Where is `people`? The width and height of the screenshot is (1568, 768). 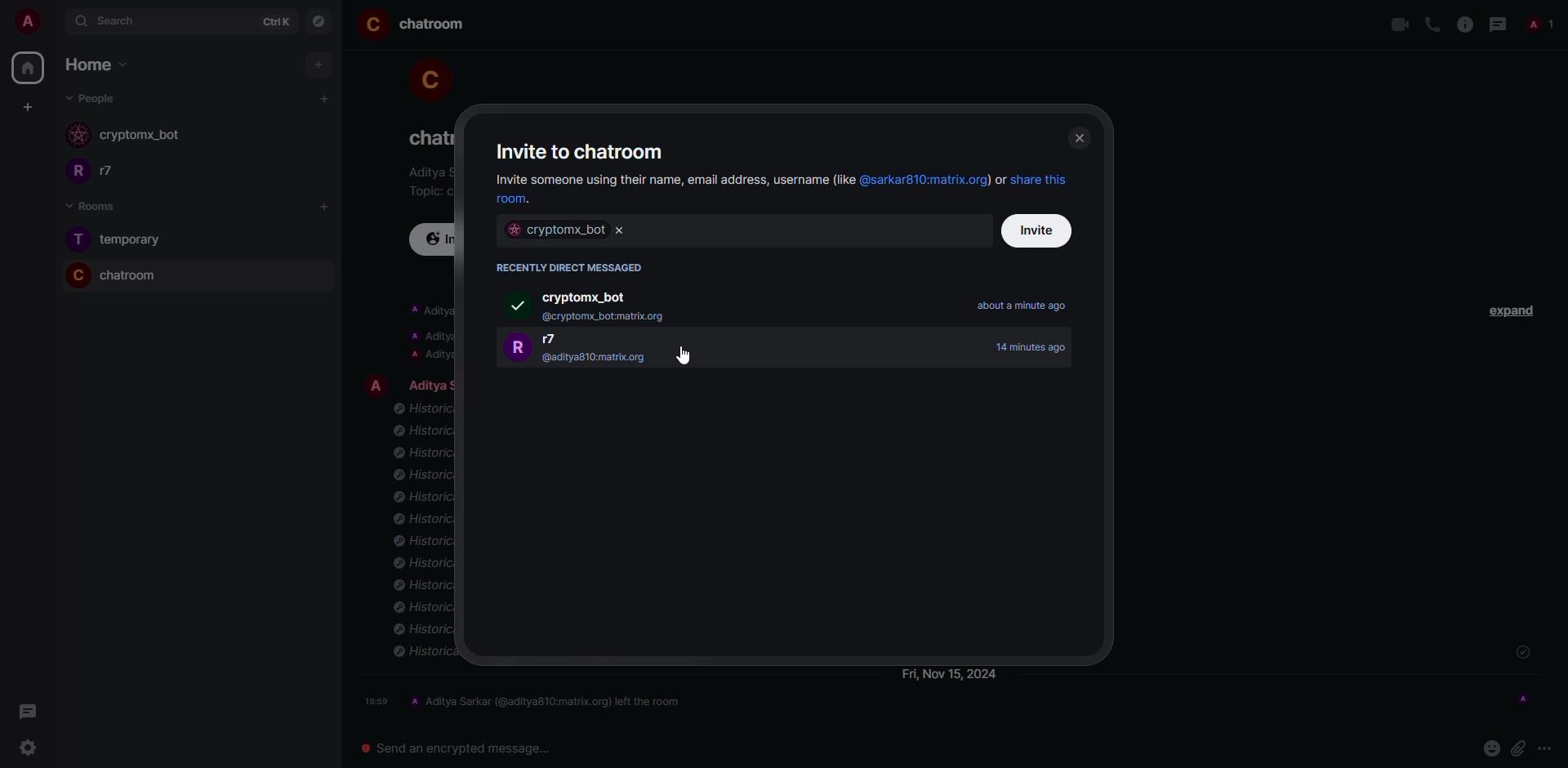 people is located at coordinates (93, 98).